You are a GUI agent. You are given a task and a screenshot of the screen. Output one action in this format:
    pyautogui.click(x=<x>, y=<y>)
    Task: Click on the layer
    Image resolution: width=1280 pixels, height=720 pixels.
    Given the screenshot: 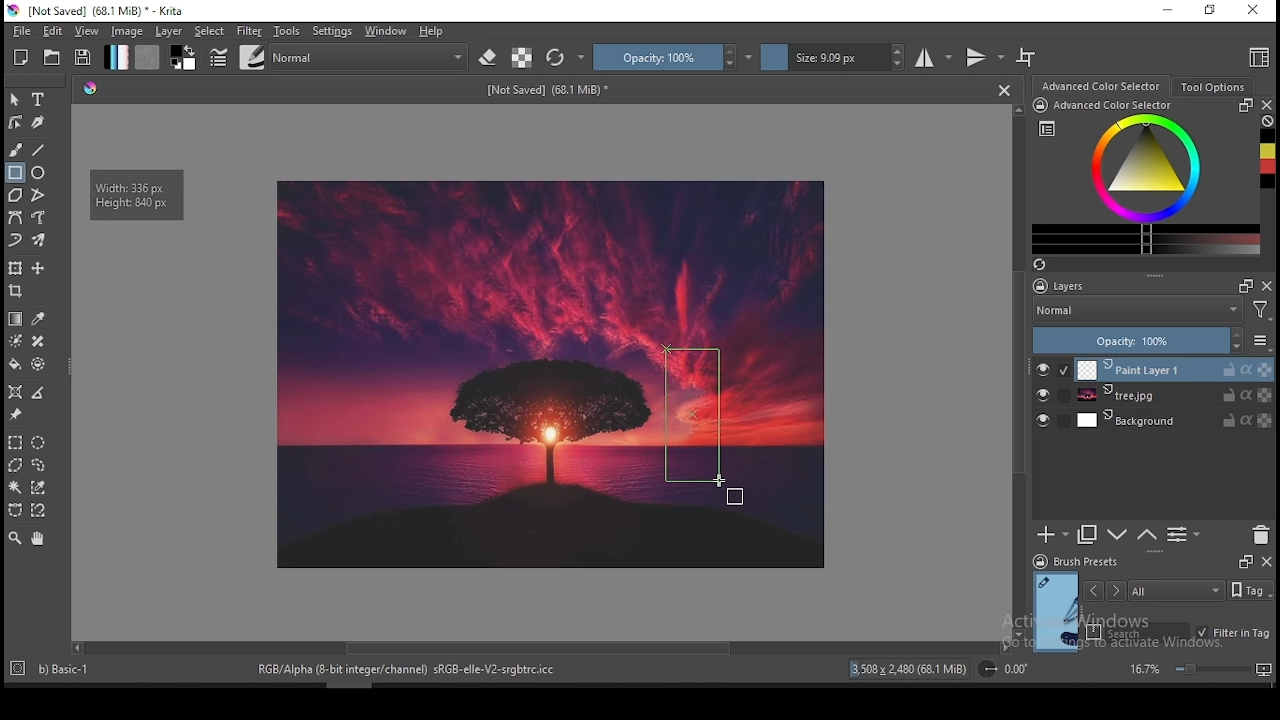 What is the action you would take?
    pyautogui.click(x=1174, y=369)
    